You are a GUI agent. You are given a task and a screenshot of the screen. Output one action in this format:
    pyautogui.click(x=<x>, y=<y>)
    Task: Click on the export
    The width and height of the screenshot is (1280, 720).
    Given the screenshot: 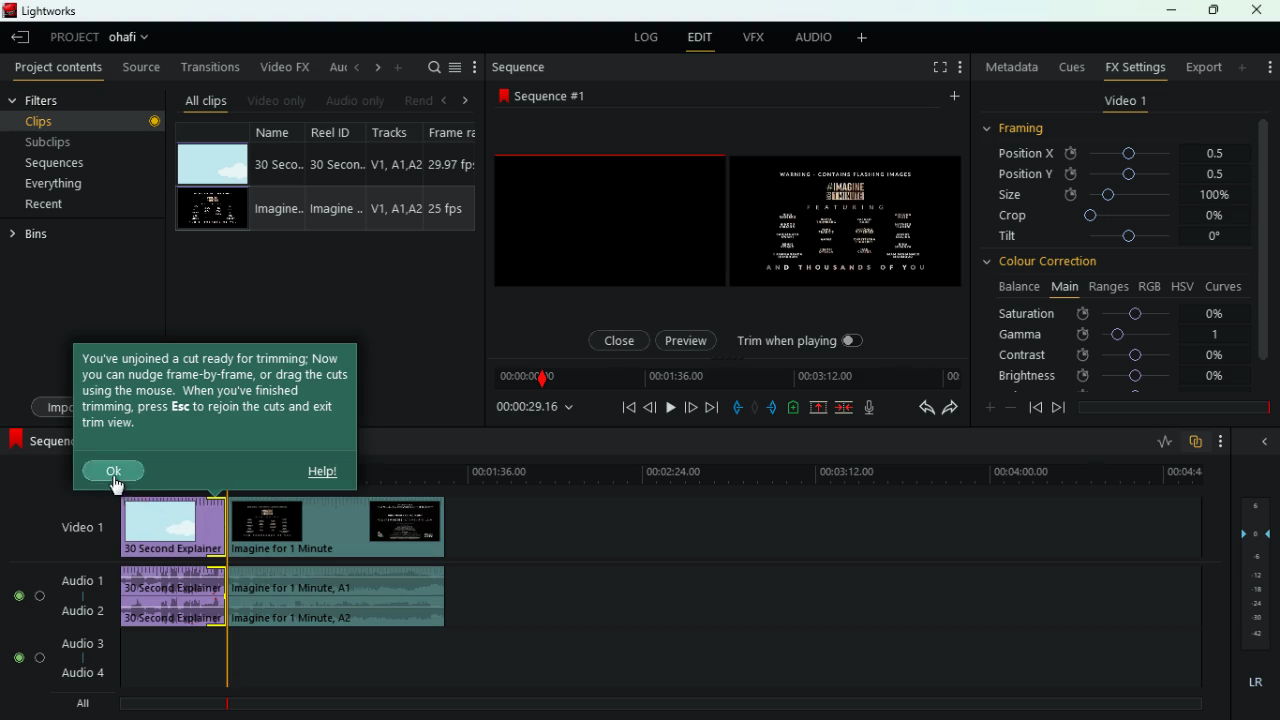 What is the action you would take?
    pyautogui.click(x=1202, y=68)
    